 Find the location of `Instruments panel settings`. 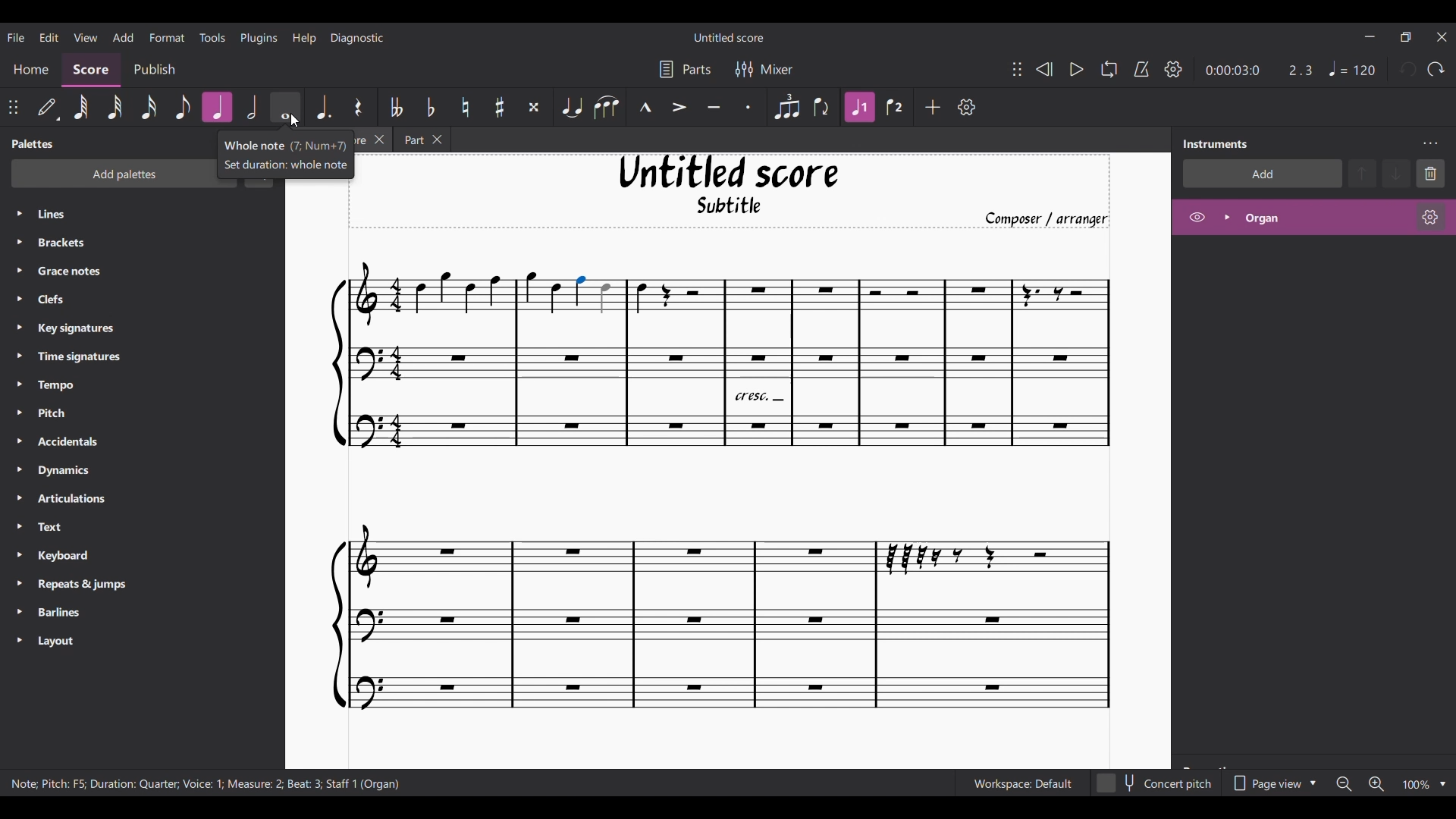

Instruments panel settings is located at coordinates (1430, 144).